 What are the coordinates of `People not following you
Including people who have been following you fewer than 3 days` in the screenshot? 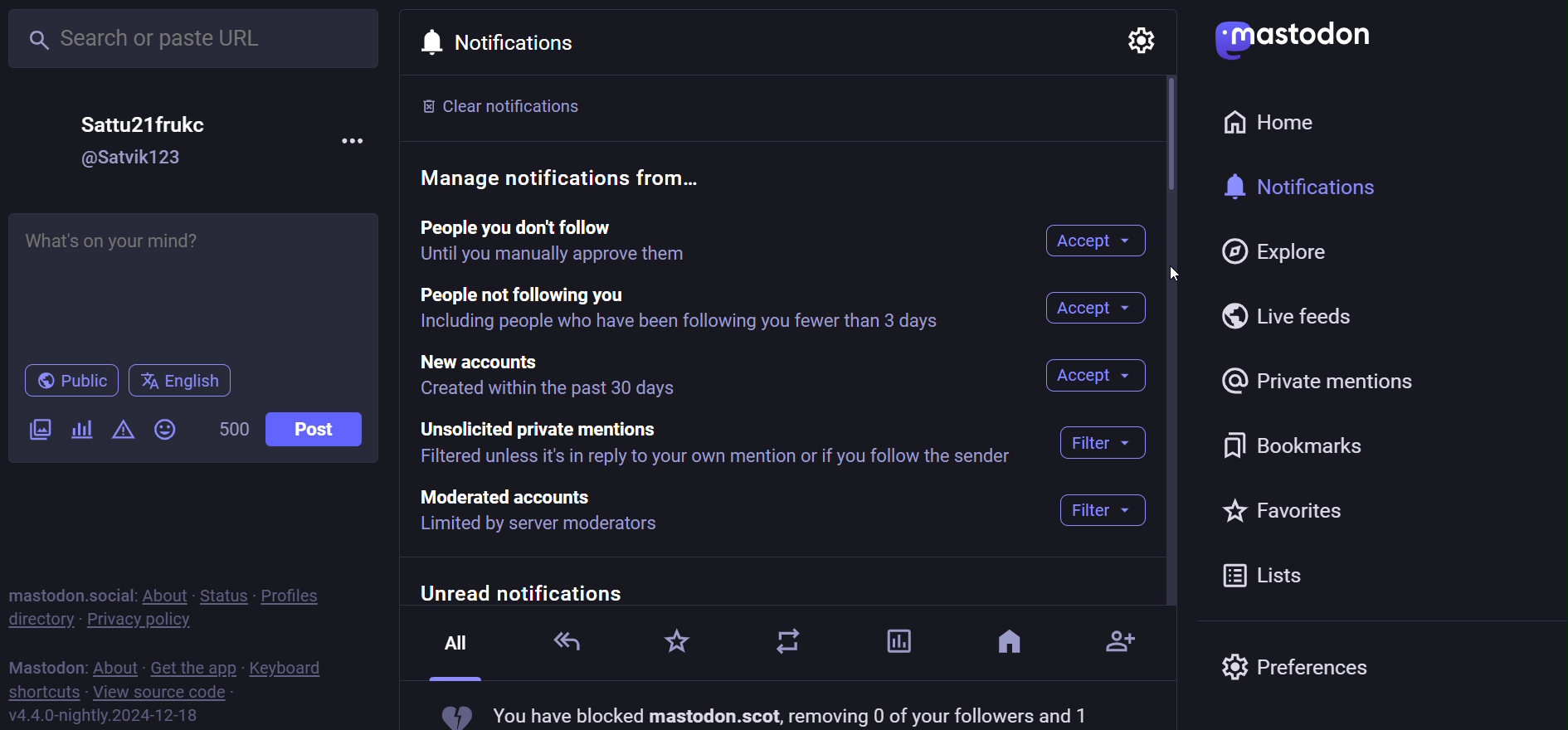 It's located at (685, 309).